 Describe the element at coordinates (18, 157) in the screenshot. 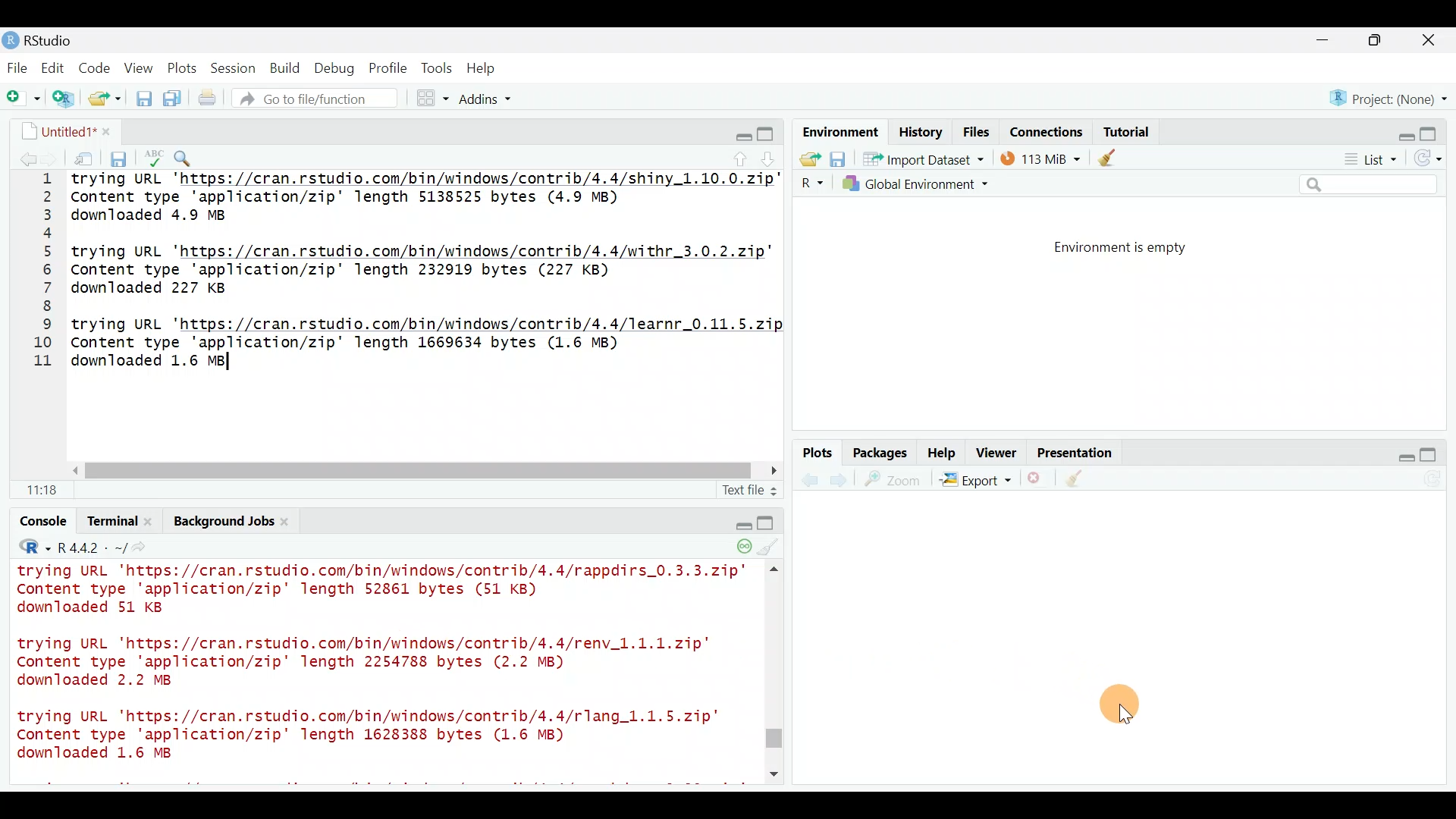

I see `go back to previous source location` at that location.